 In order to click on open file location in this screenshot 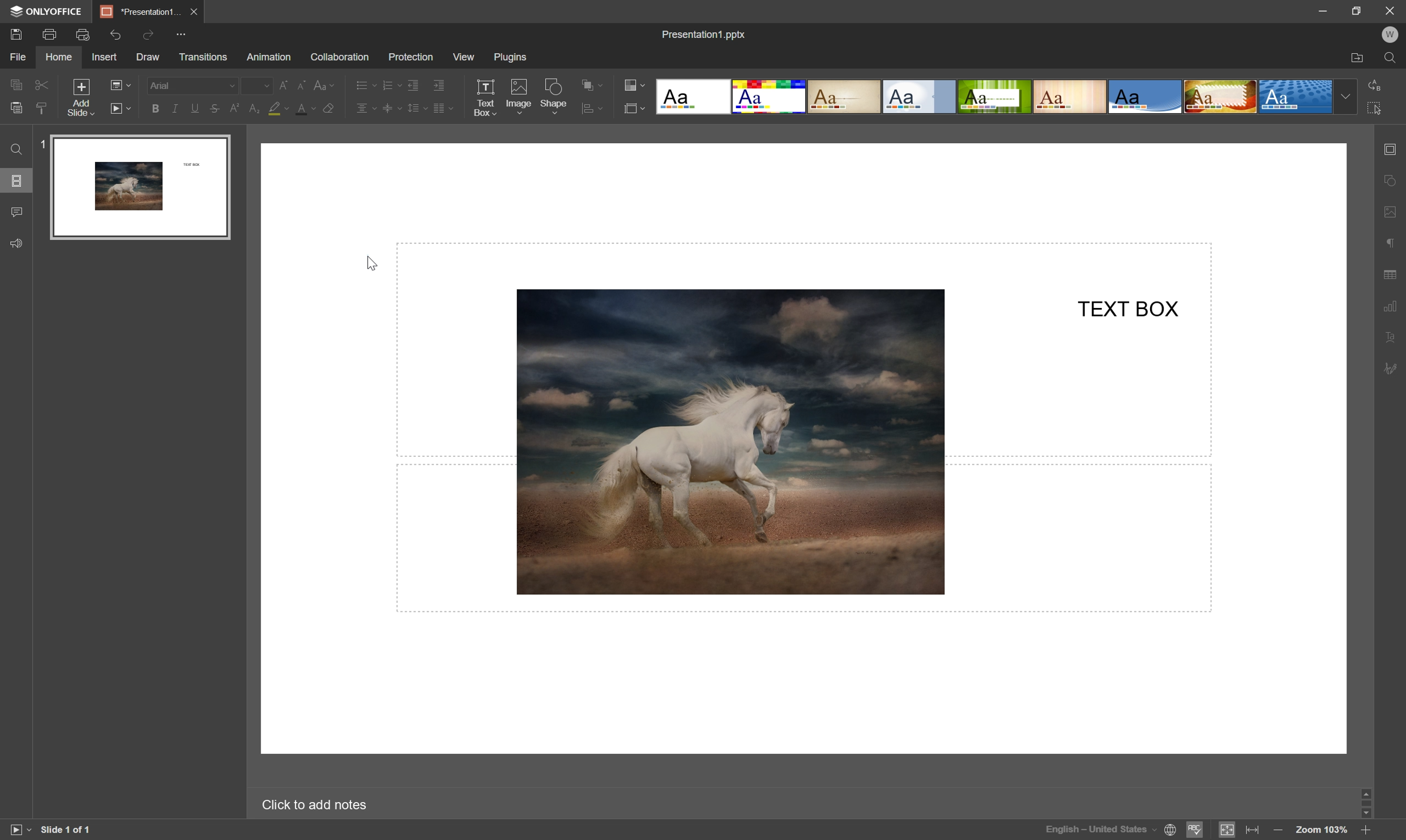, I will do `click(1358, 59)`.